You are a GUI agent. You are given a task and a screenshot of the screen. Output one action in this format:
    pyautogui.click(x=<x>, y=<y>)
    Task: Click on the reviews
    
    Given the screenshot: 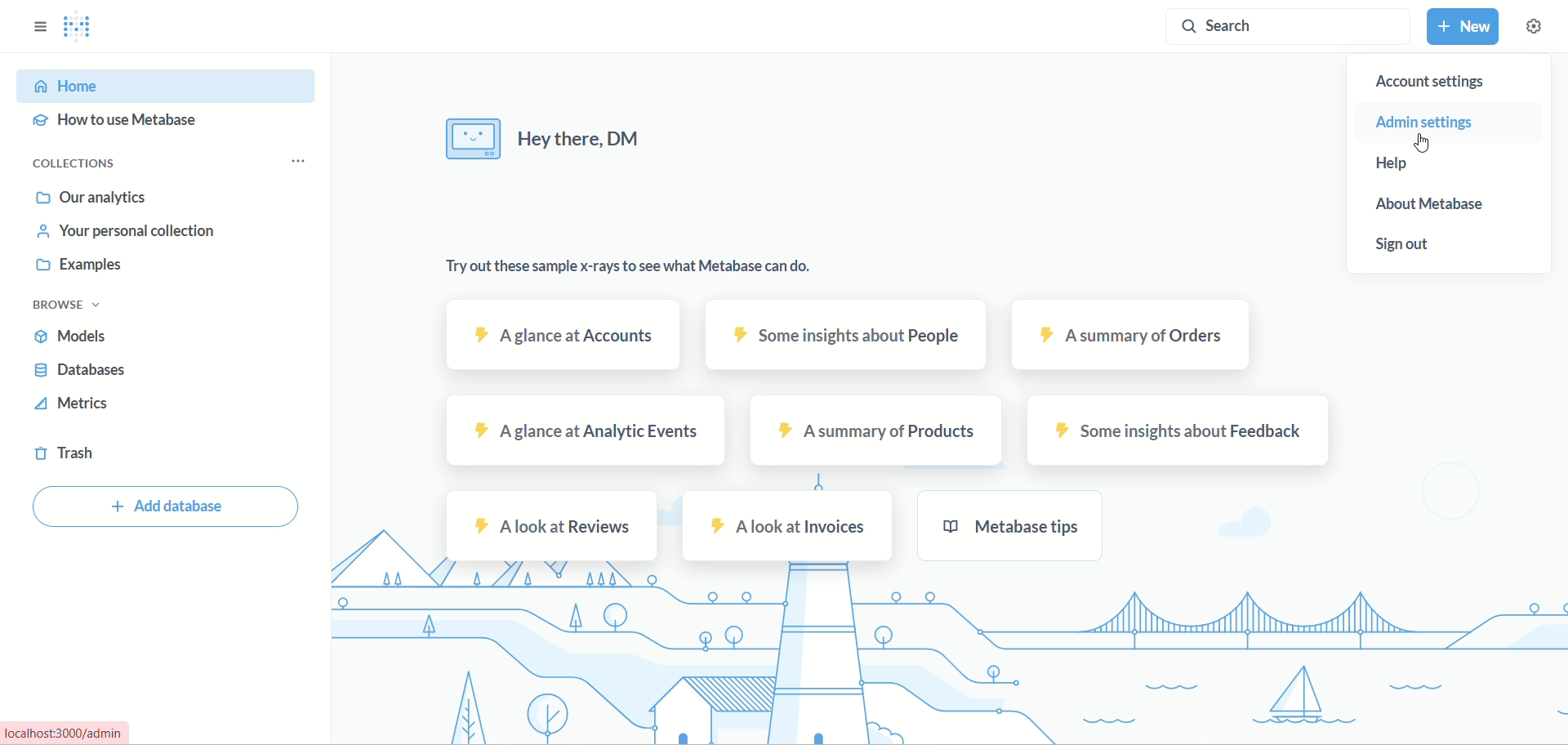 What is the action you would take?
    pyautogui.click(x=552, y=527)
    